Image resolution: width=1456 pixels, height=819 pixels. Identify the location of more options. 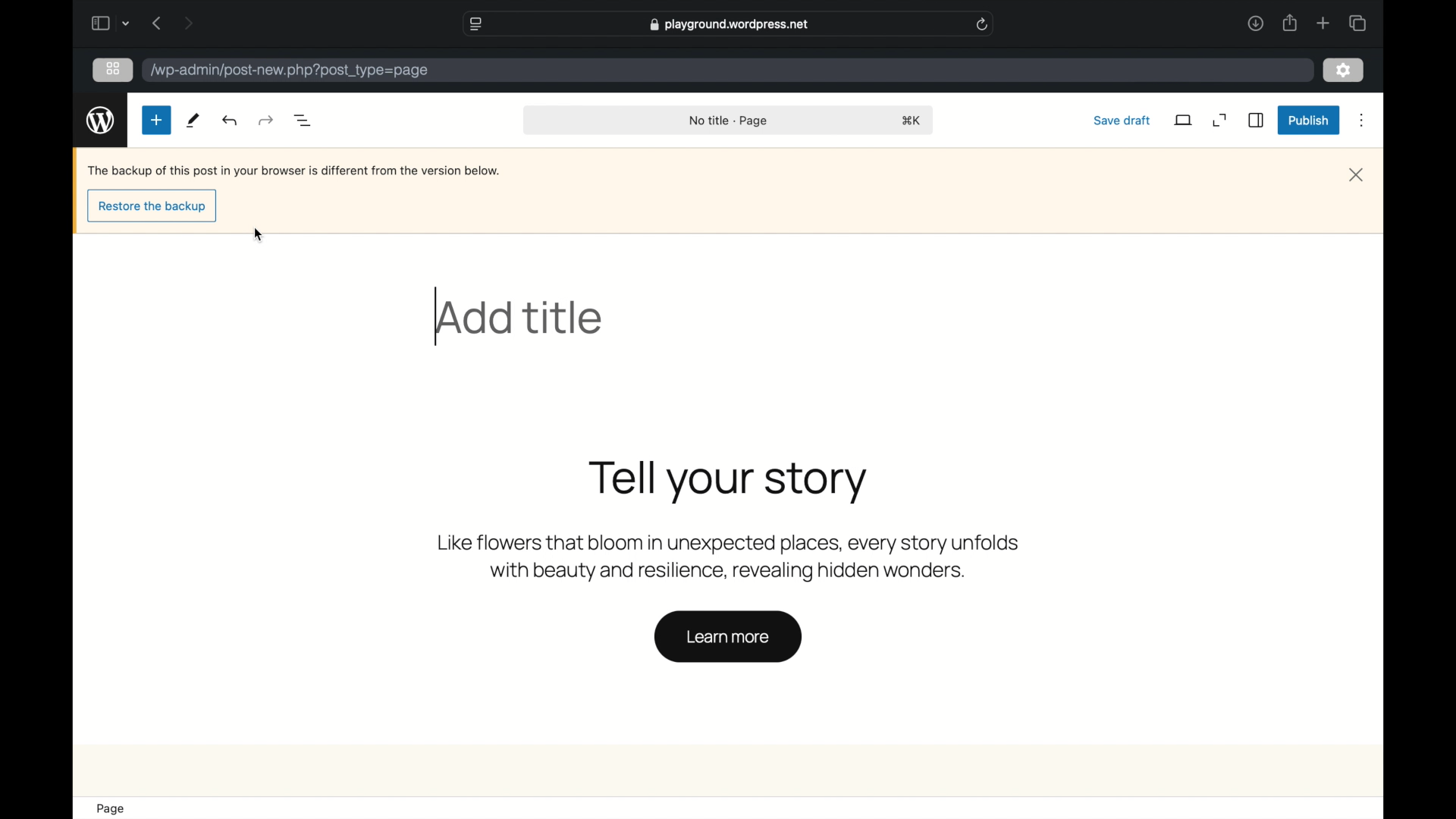
(1362, 121).